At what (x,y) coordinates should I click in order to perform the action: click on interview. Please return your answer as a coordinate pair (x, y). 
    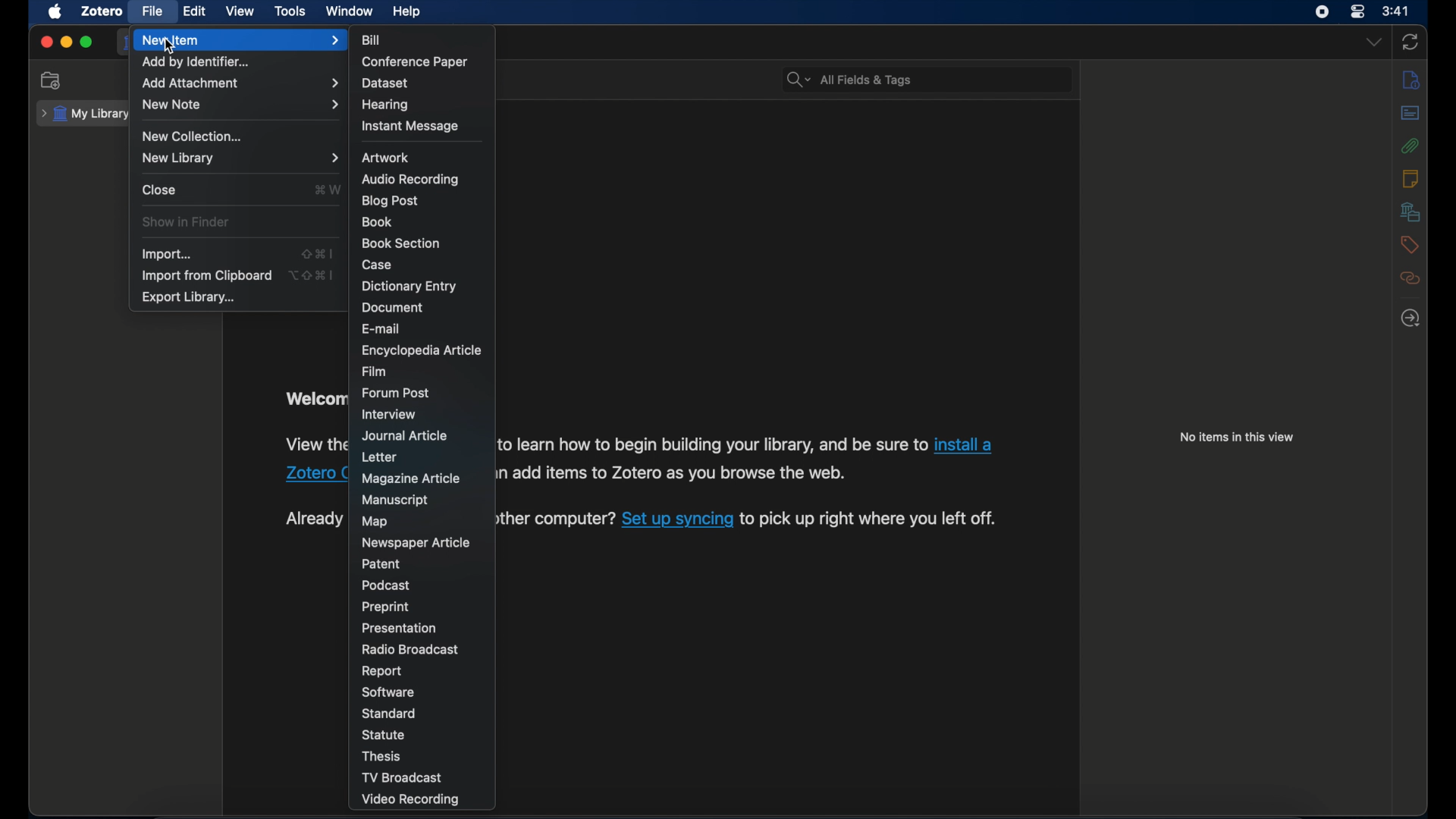
    Looking at the image, I should click on (388, 414).